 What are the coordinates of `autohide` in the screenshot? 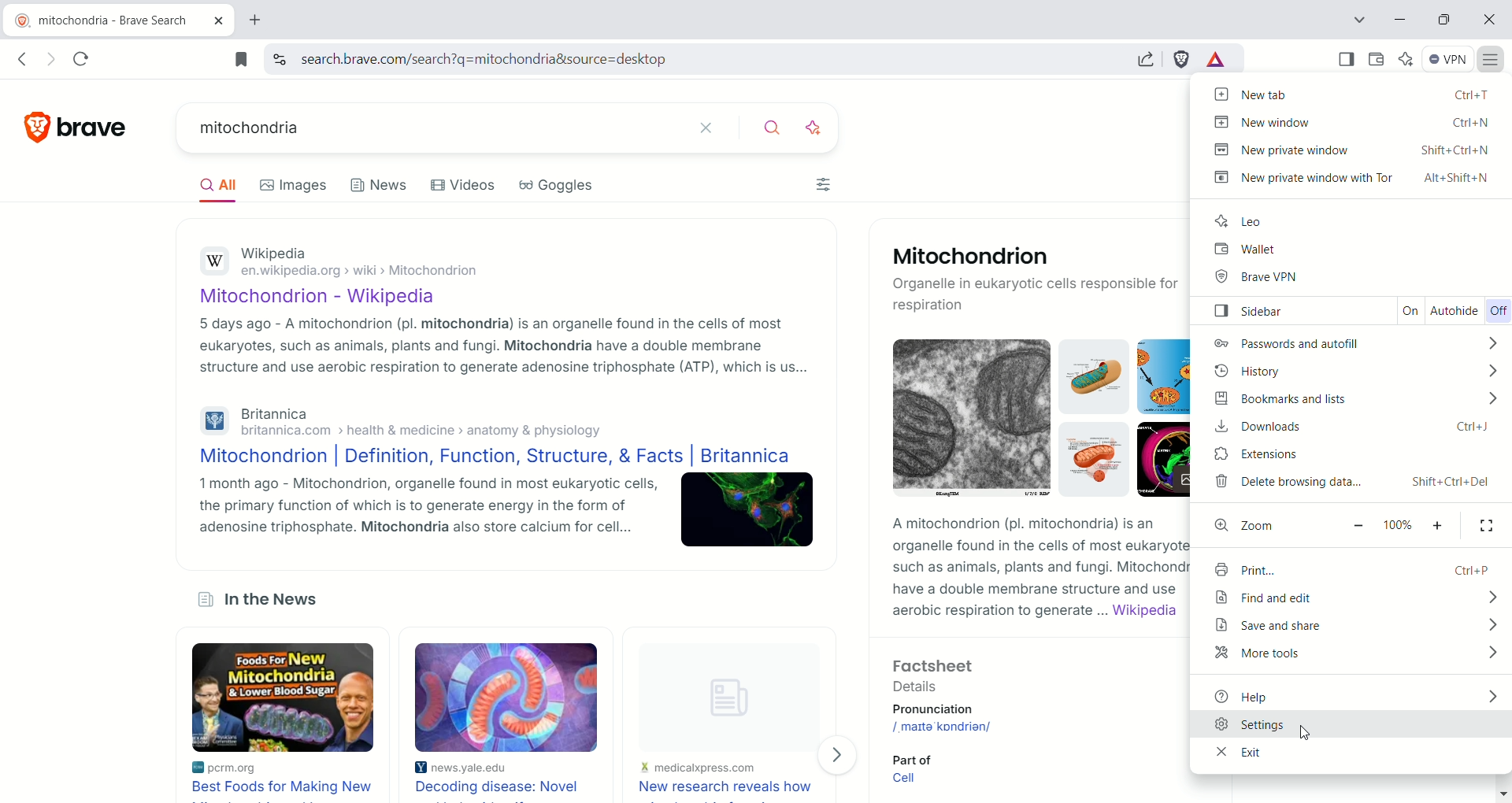 It's located at (1453, 312).